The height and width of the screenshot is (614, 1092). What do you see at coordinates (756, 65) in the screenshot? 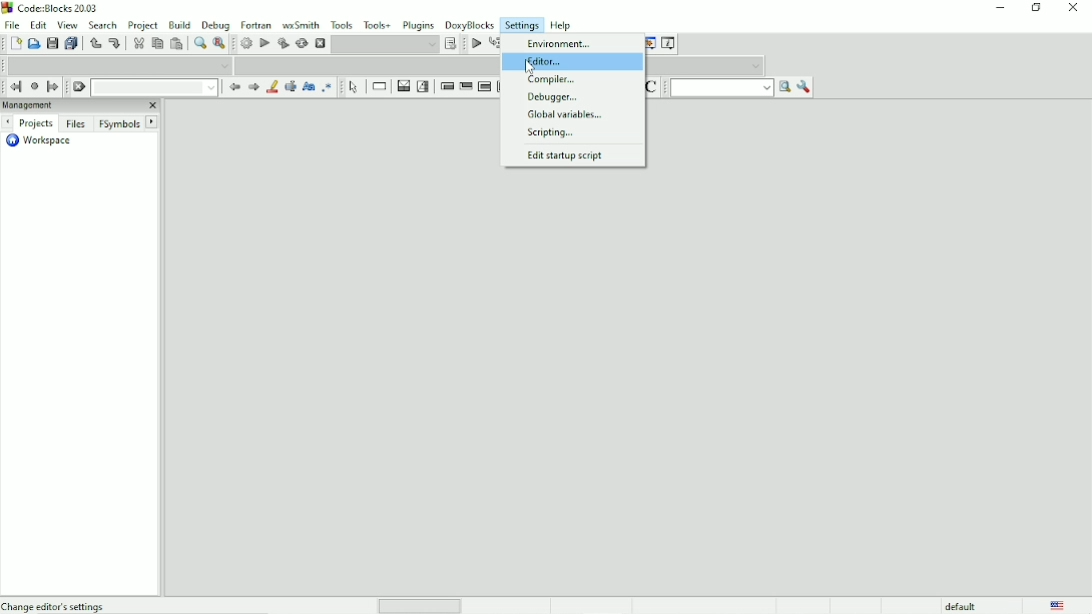
I see `Drop down` at bounding box center [756, 65].